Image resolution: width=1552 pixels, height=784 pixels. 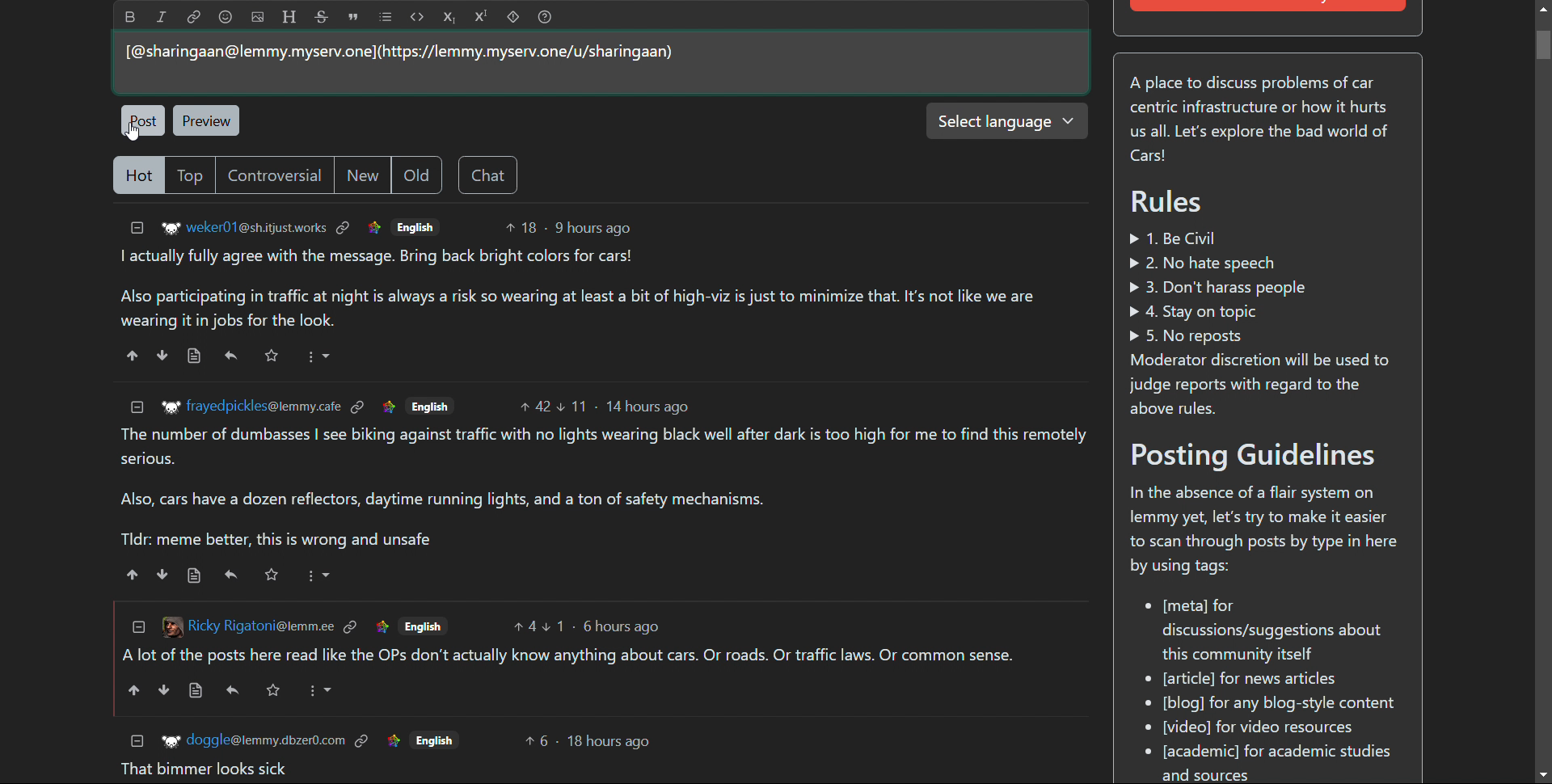 What do you see at coordinates (322, 17) in the screenshot?
I see `strikethrough` at bounding box center [322, 17].